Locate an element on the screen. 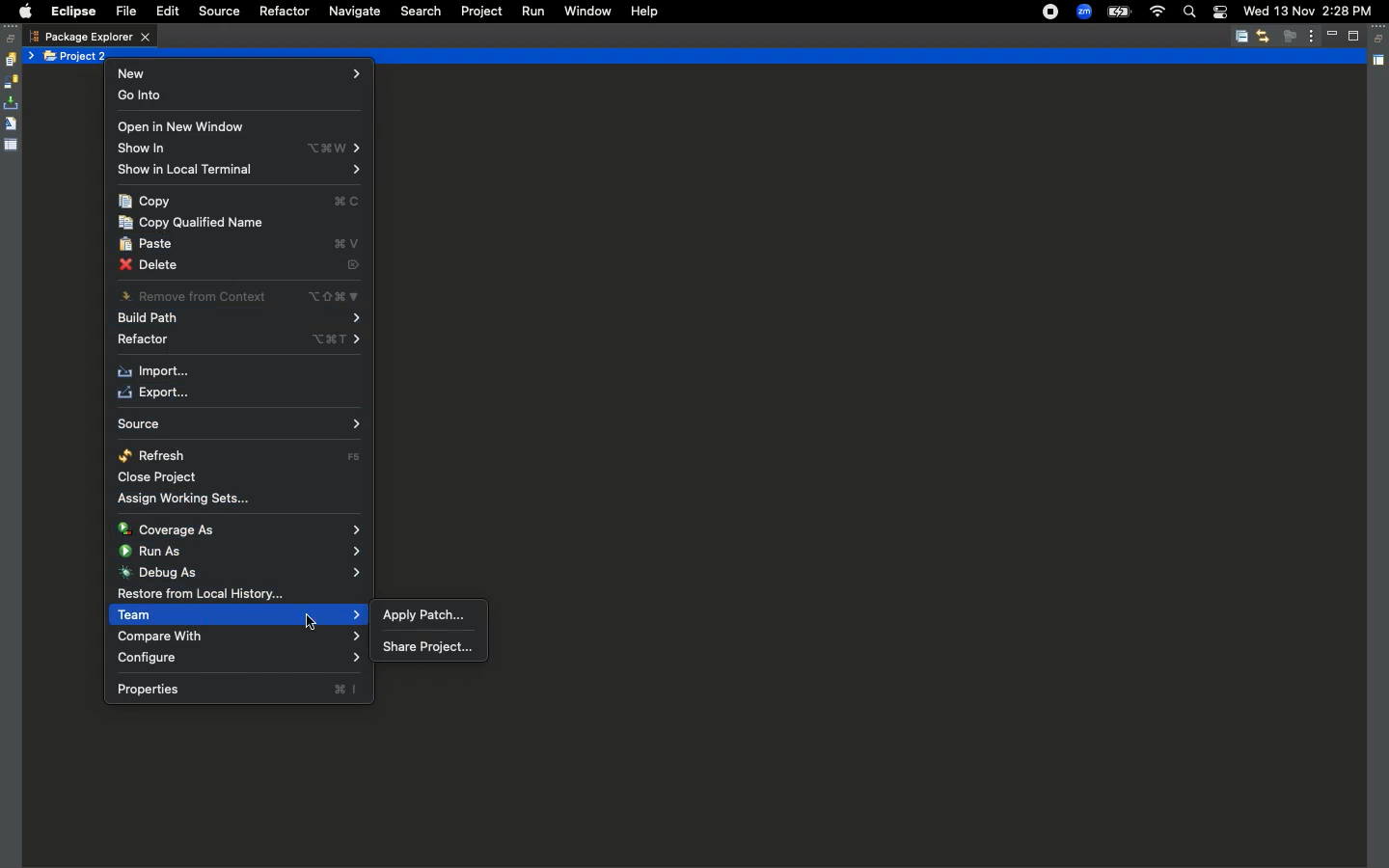 Image resolution: width=1389 pixels, height=868 pixels. Export is located at coordinates (151, 393).